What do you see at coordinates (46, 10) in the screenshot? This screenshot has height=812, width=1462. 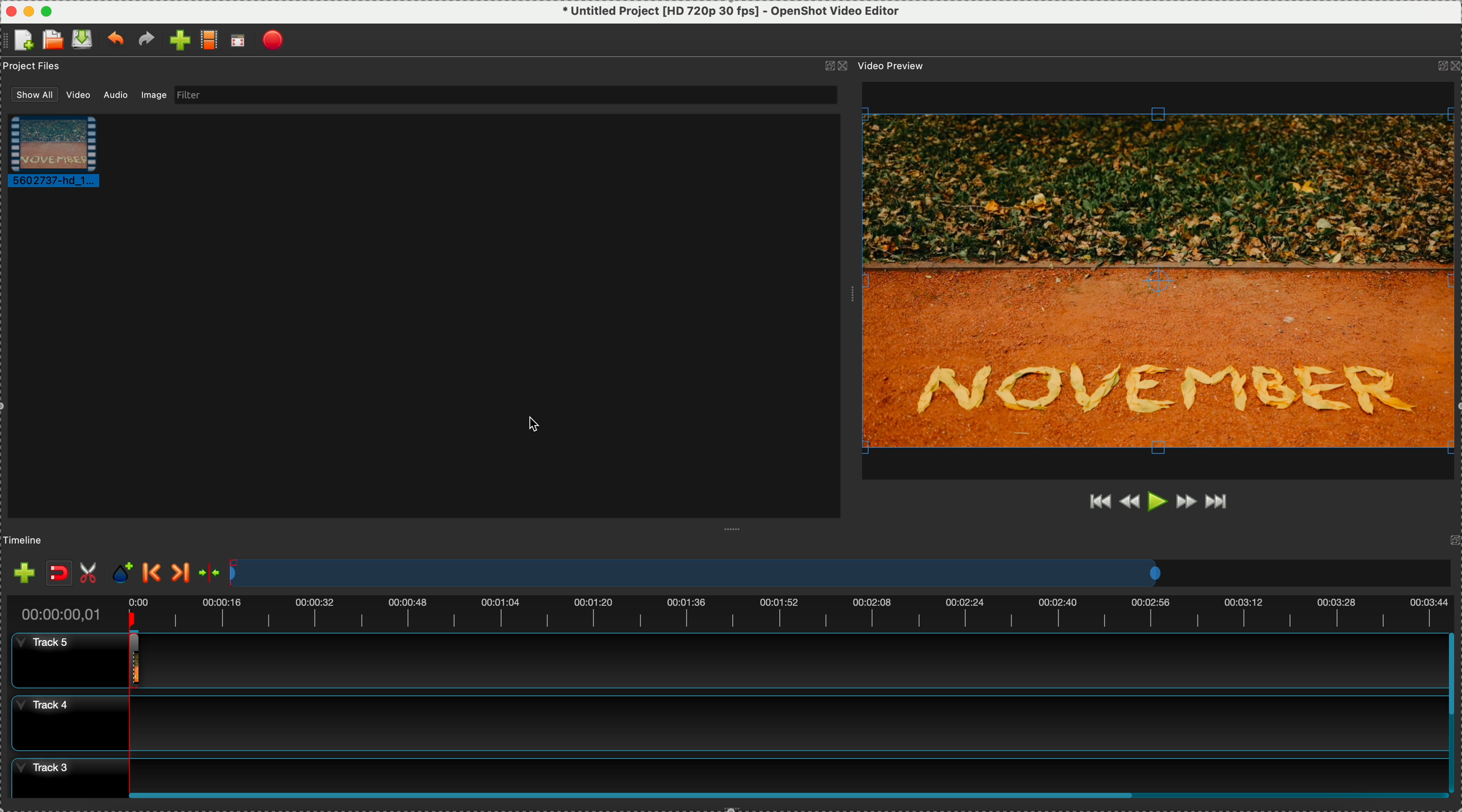 I see `maximize` at bounding box center [46, 10].